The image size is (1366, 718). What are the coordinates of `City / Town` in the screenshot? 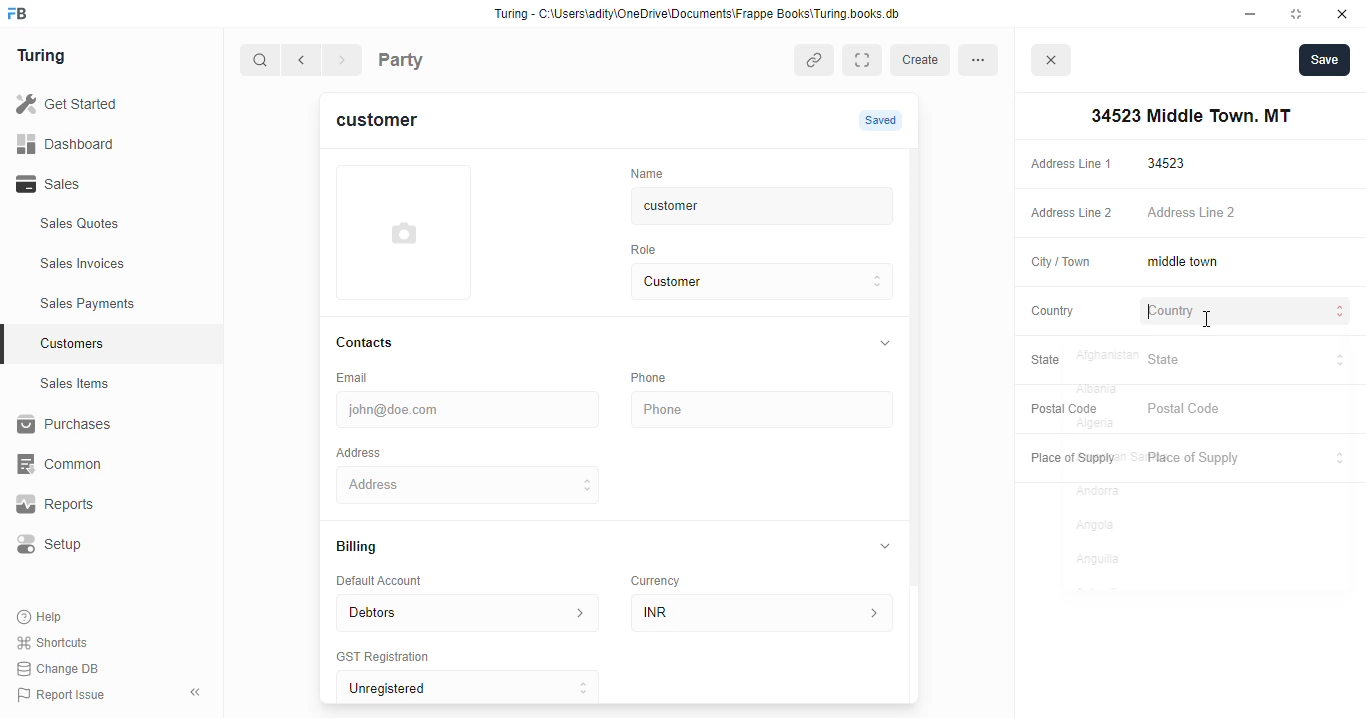 It's located at (1061, 264).